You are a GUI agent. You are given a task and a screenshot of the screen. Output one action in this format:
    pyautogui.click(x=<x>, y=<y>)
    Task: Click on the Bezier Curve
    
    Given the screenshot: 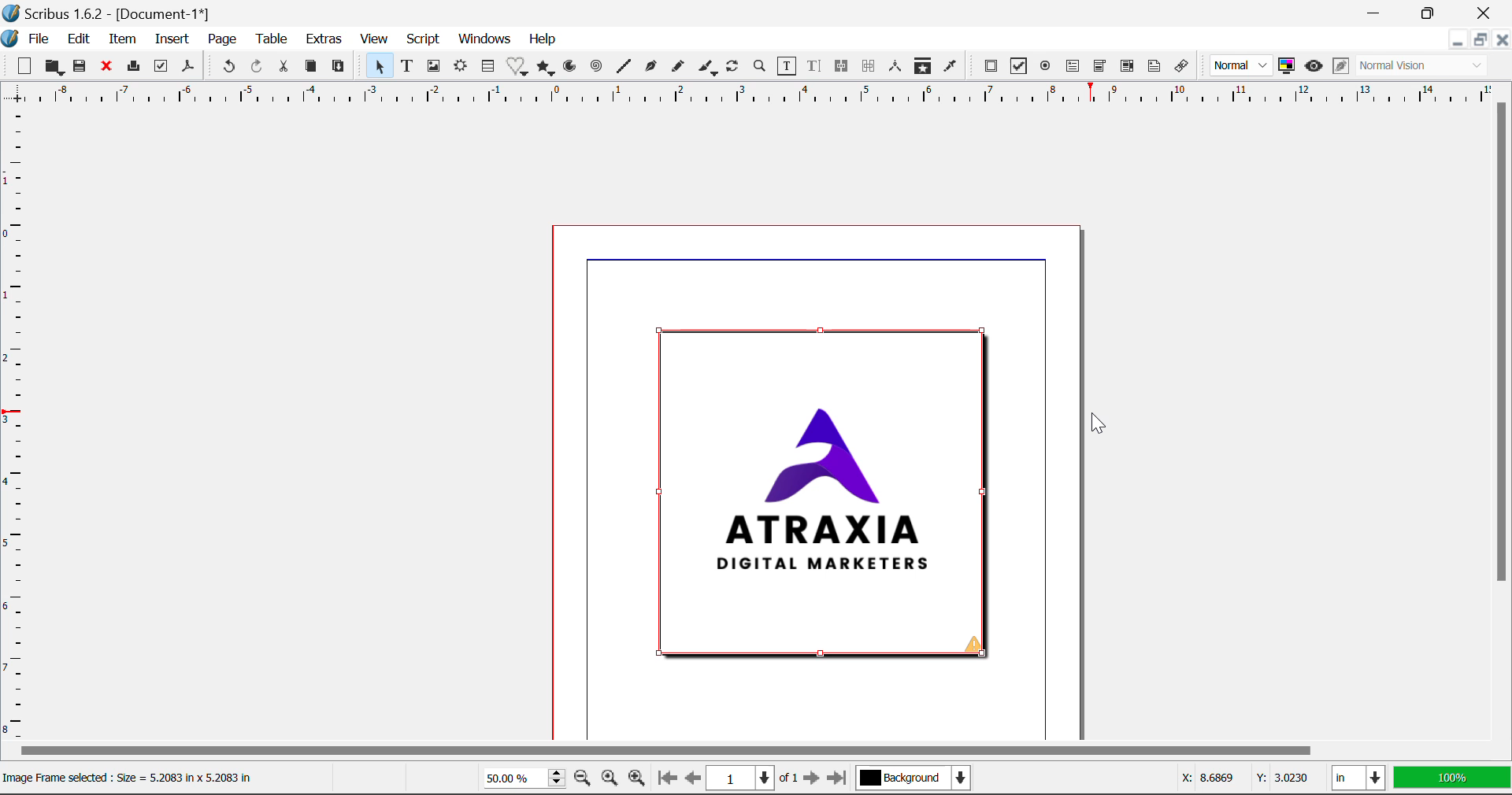 What is the action you would take?
    pyautogui.click(x=651, y=68)
    